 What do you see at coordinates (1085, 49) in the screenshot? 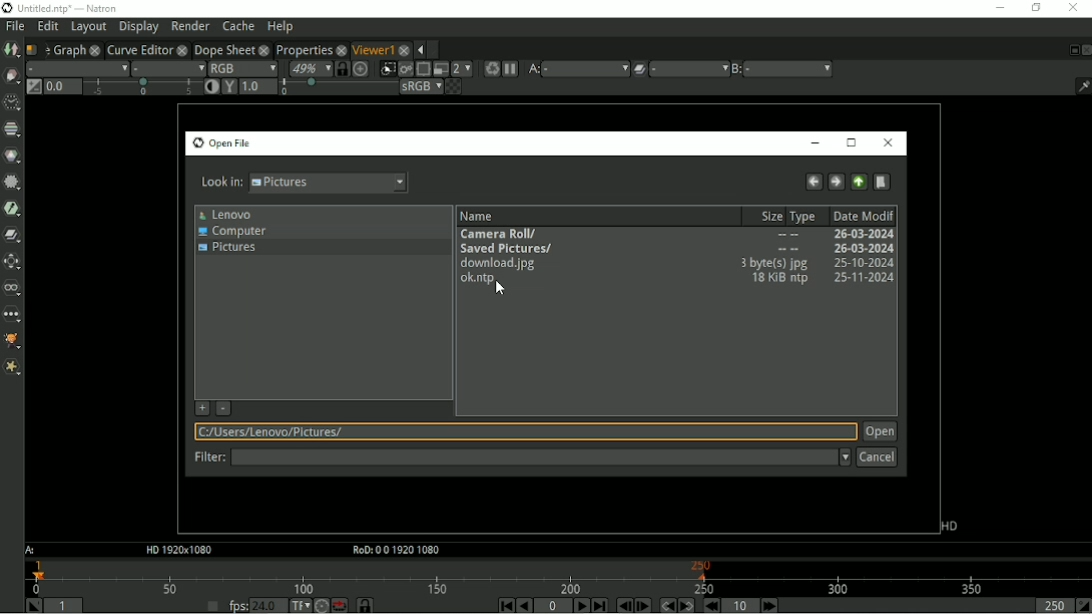
I see `Close` at bounding box center [1085, 49].